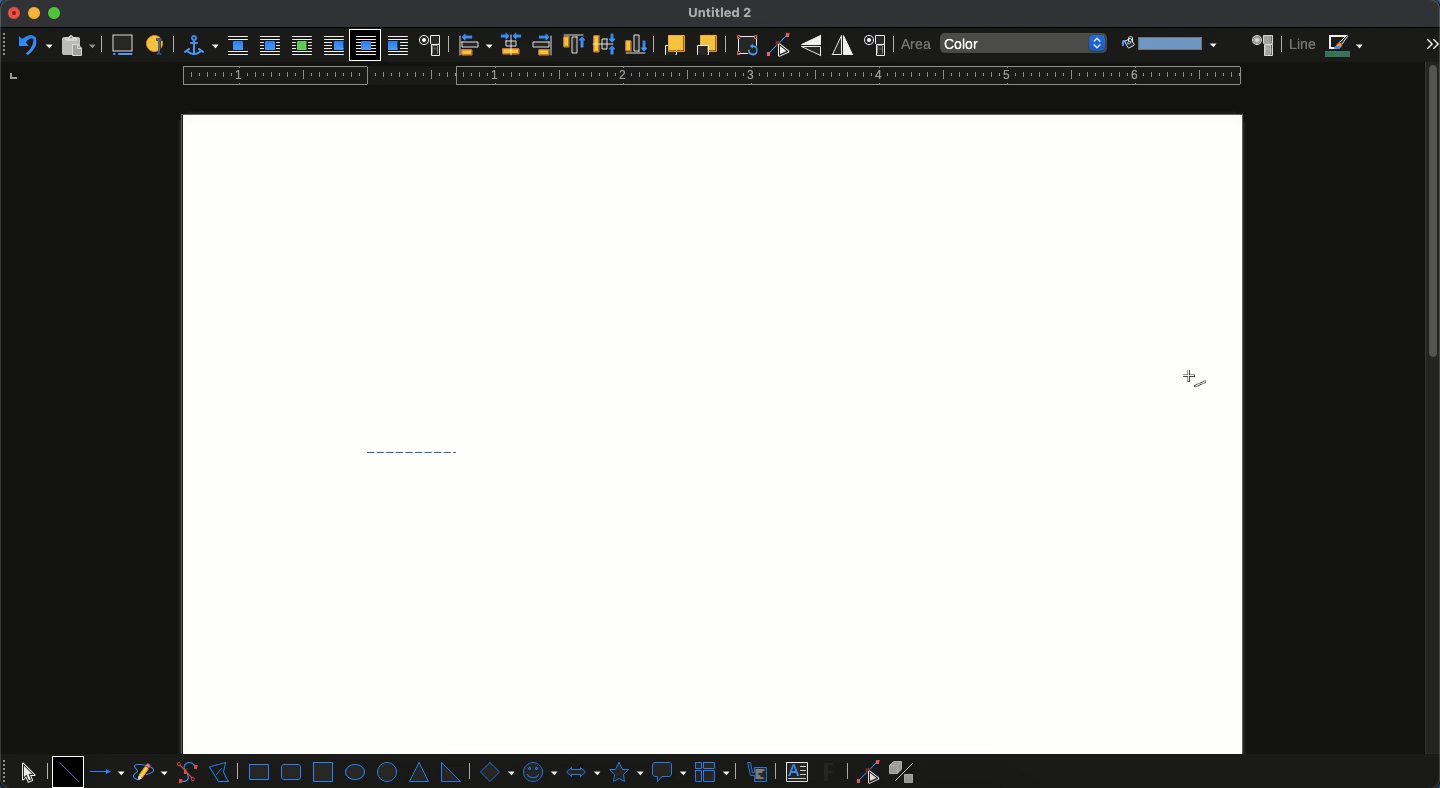 This screenshot has width=1440, height=788. Describe the element at coordinates (1167, 44) in the screenshot. I see `fill color` at that location.